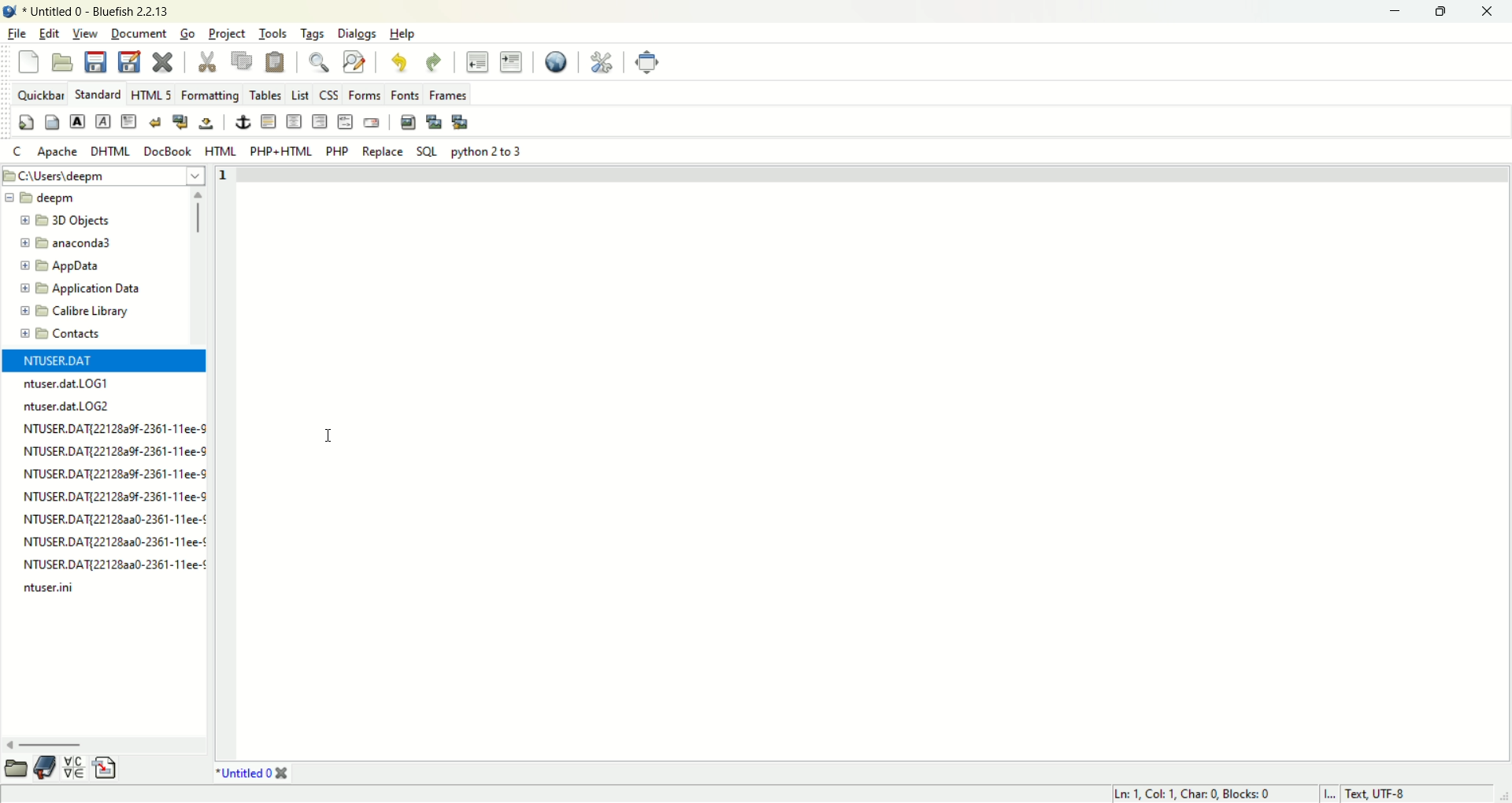 The width and height of the screenshot is (1512, 803). What do you see at coordinates (181, 120) in the screenshot?
I see `break and clear` at bounding box center [181, 120].